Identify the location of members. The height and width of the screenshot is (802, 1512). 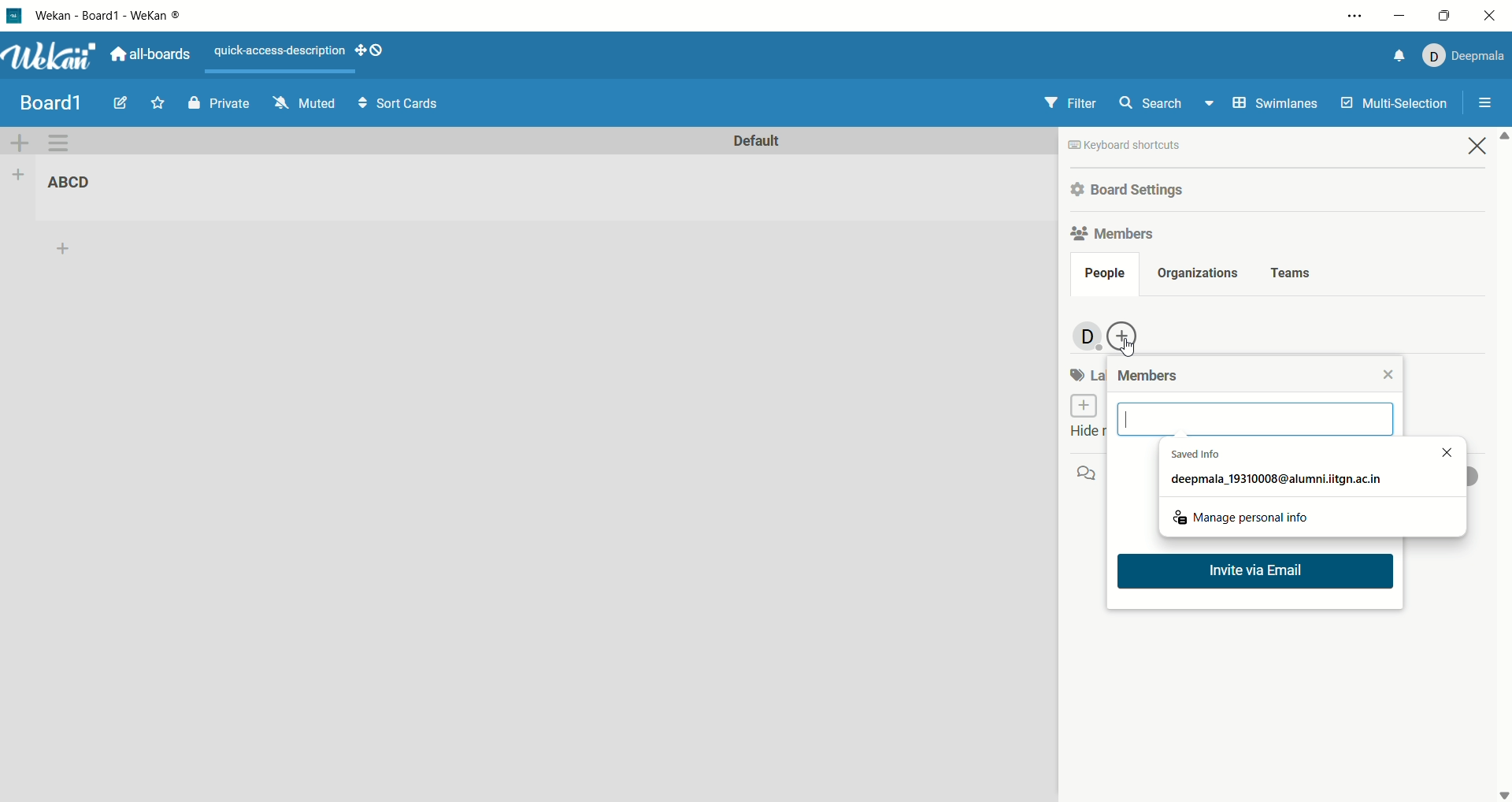
(1151, 377).